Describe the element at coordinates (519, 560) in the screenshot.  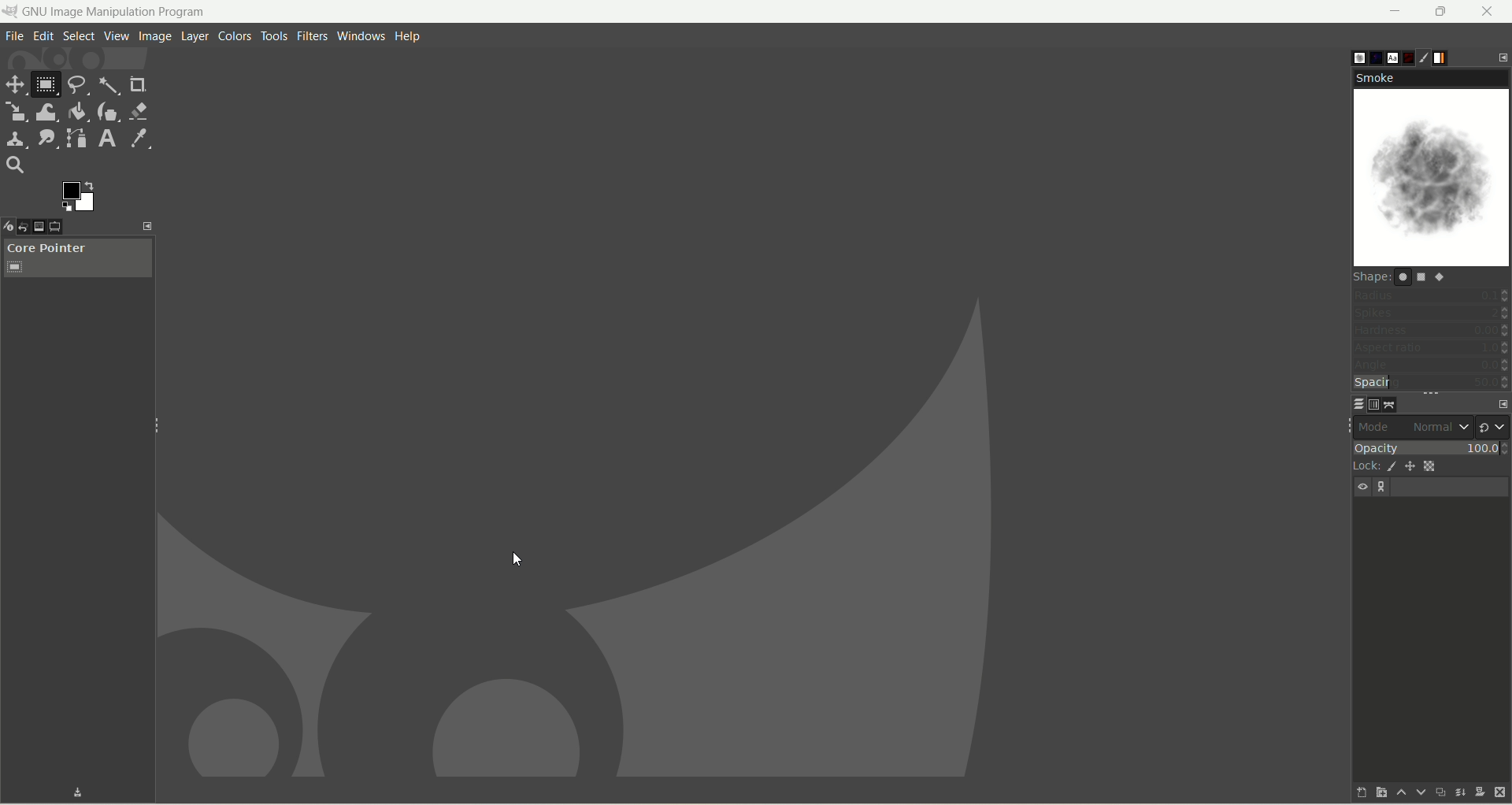
I see `cursor` at that location.